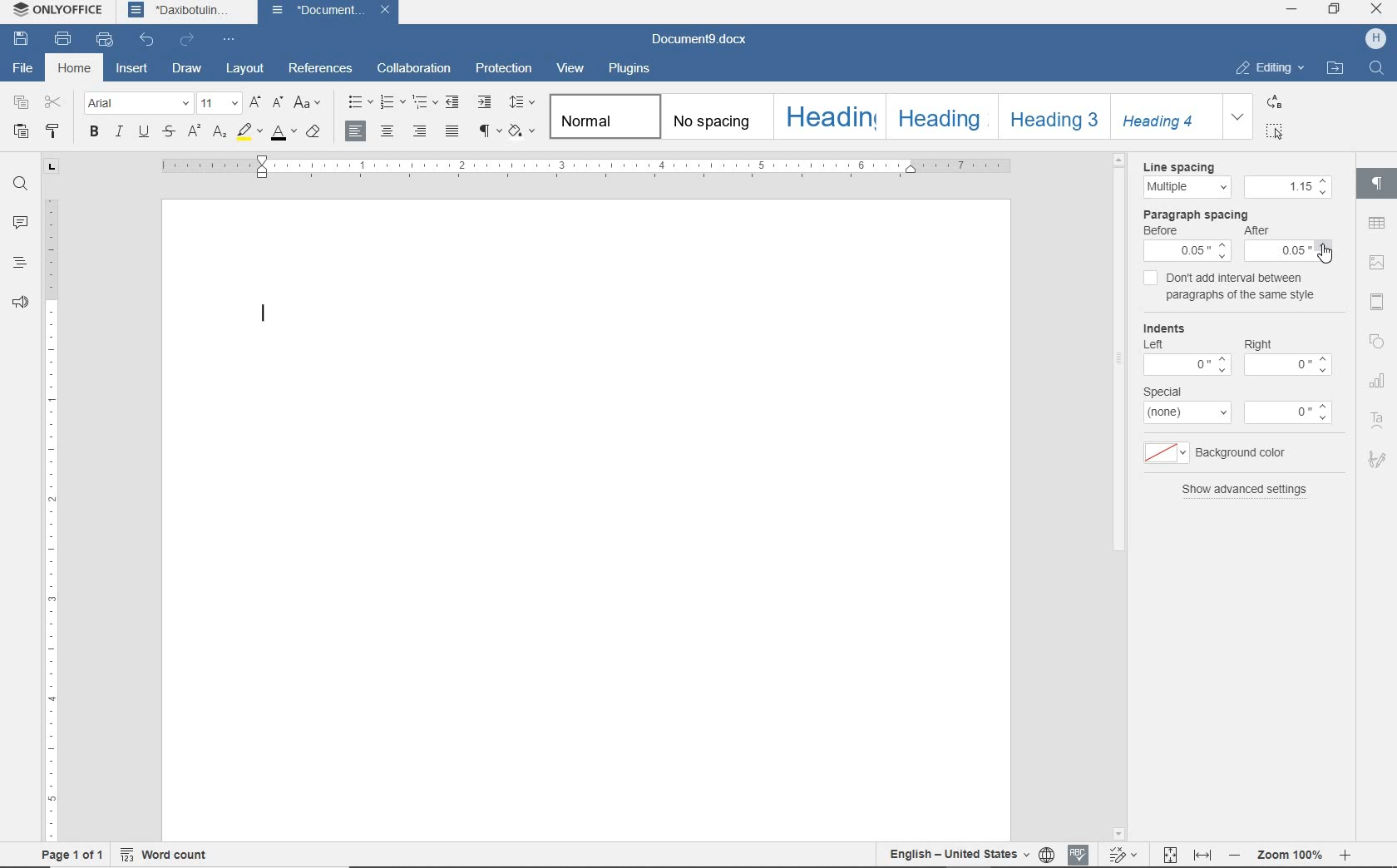  What do you see at coordinates (698, 40) in the screenshot?
I see `Document9.docx` at bounding box center [698, 40].